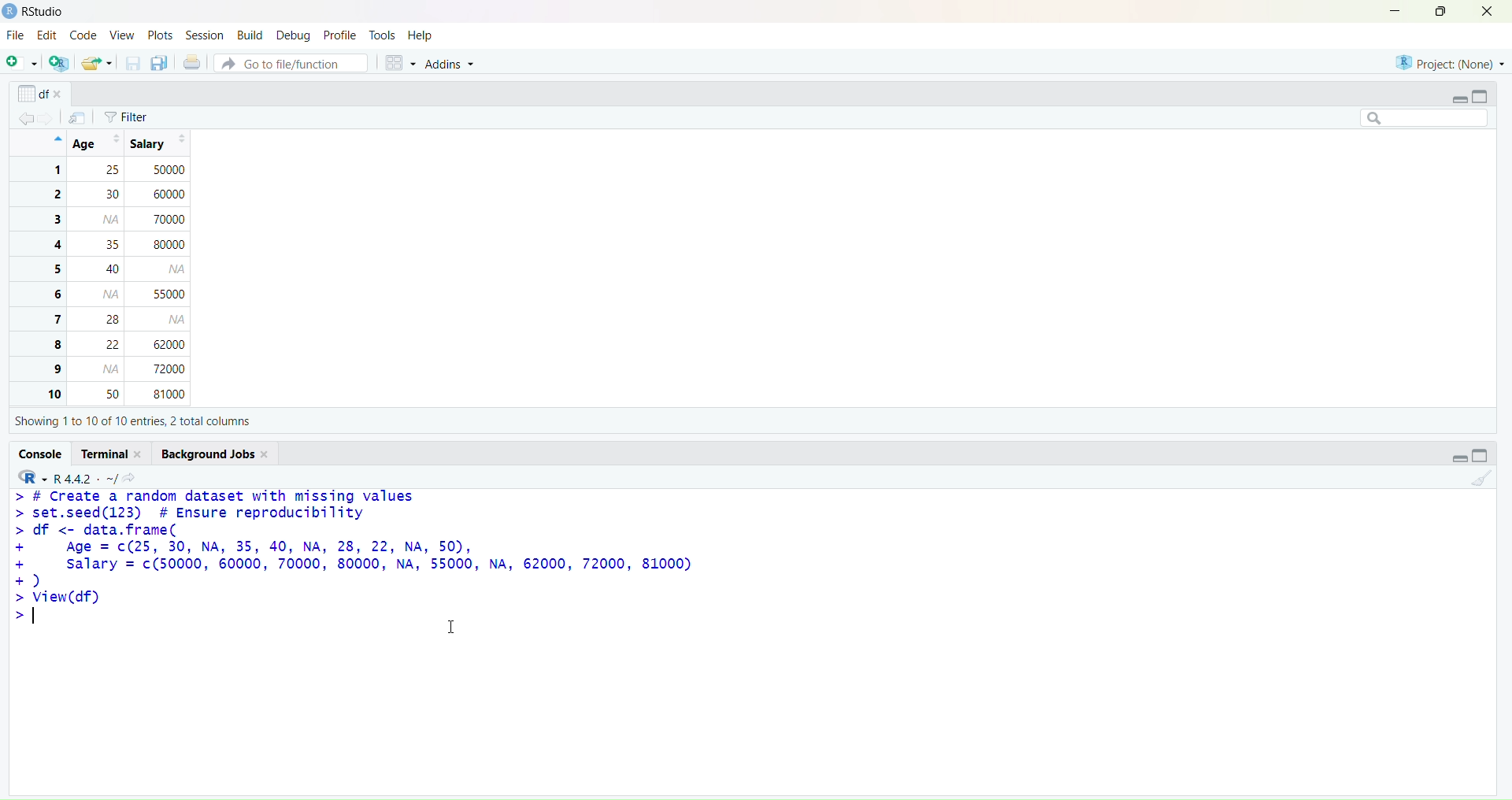 The height and width of the screenshot is (800, 1512). Describe the element at coordinates (83, 35) in the screenshot. I see `code` at that location.